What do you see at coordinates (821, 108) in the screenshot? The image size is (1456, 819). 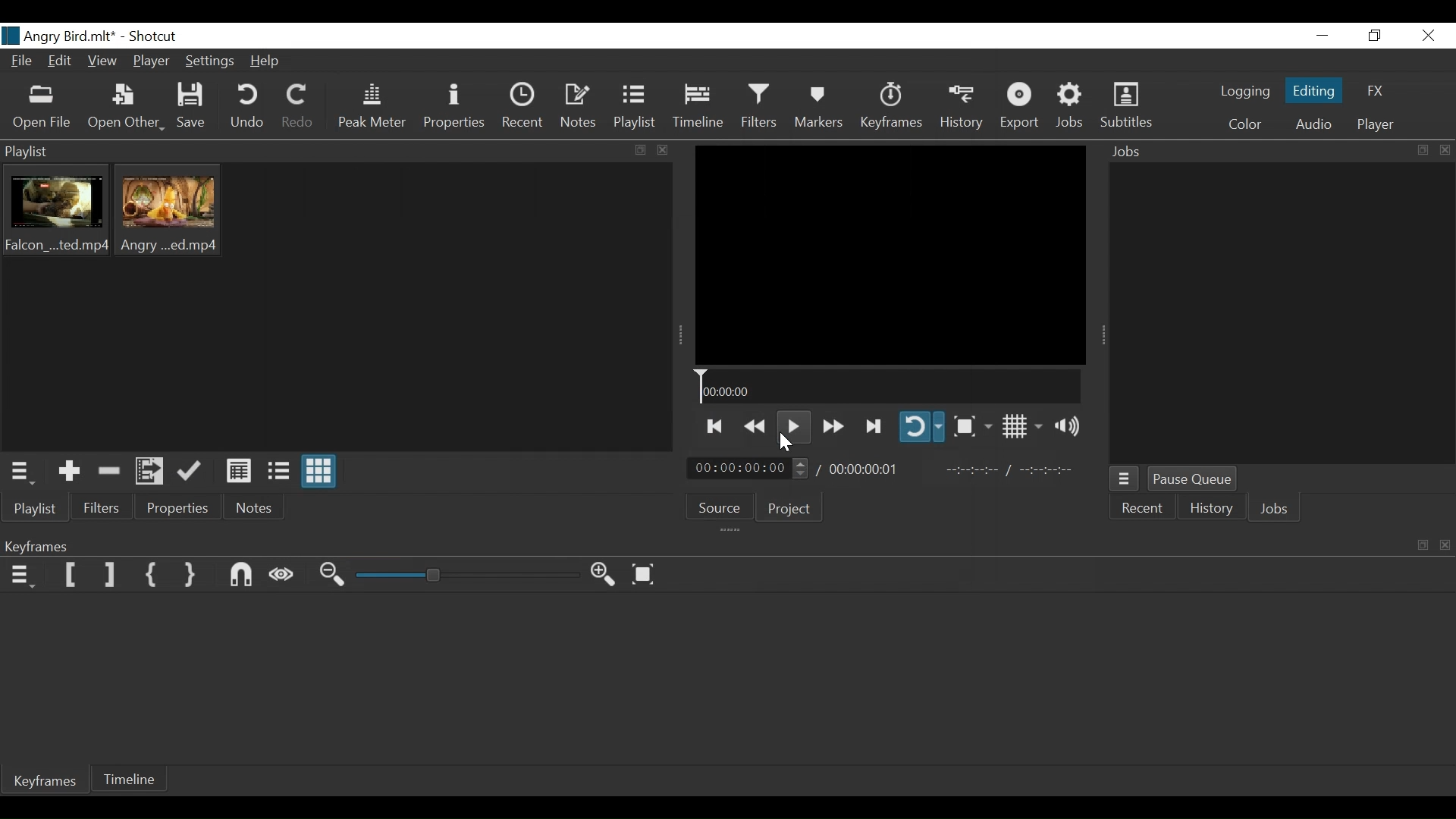 I see `Markers` at bounding box center [821, 108].